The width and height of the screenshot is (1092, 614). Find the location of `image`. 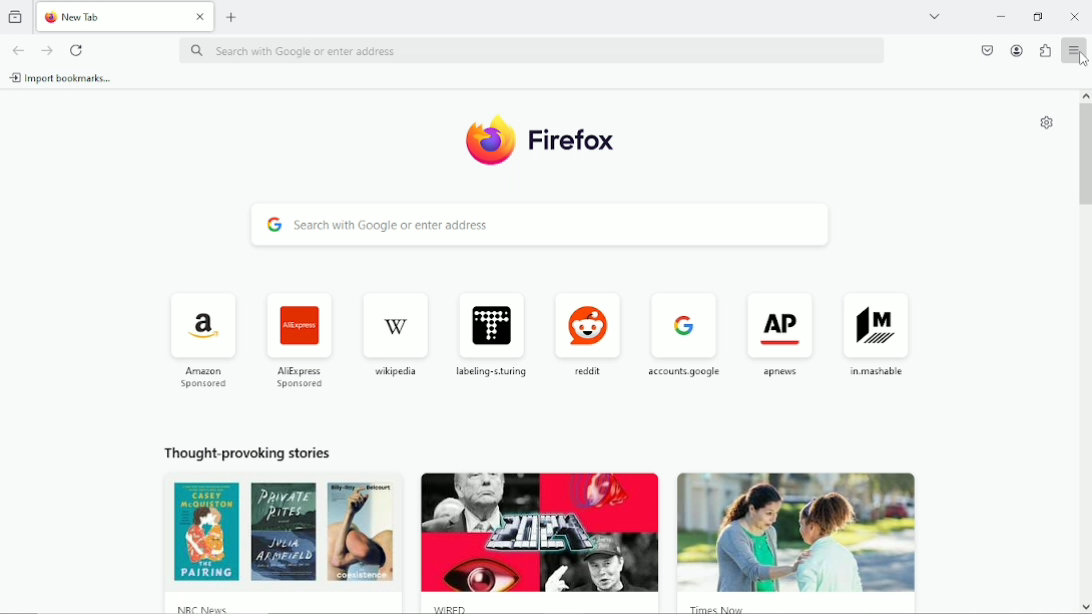

image is located at coordinates (791, 525).